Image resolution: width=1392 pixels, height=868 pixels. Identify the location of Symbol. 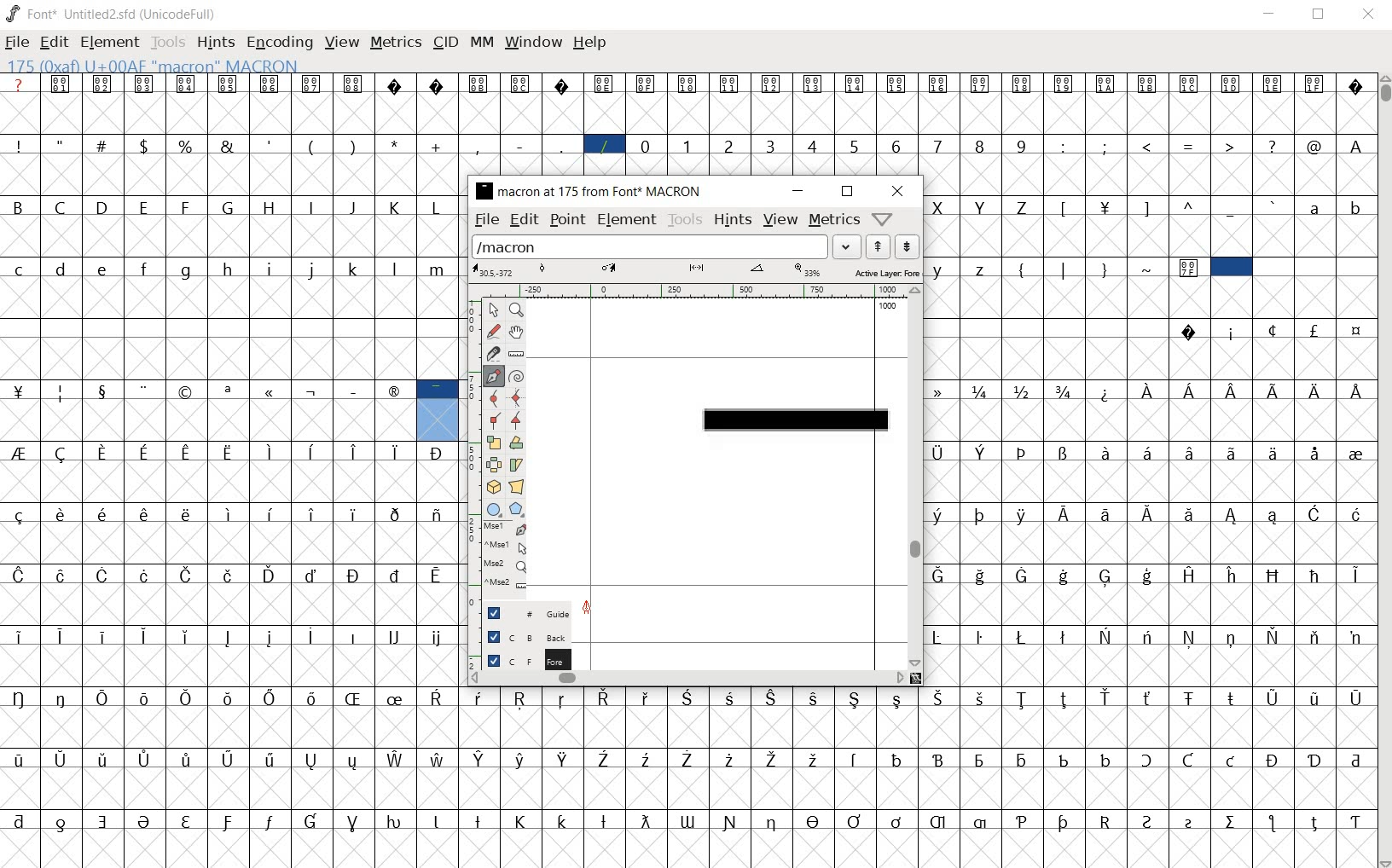
(106, 697).